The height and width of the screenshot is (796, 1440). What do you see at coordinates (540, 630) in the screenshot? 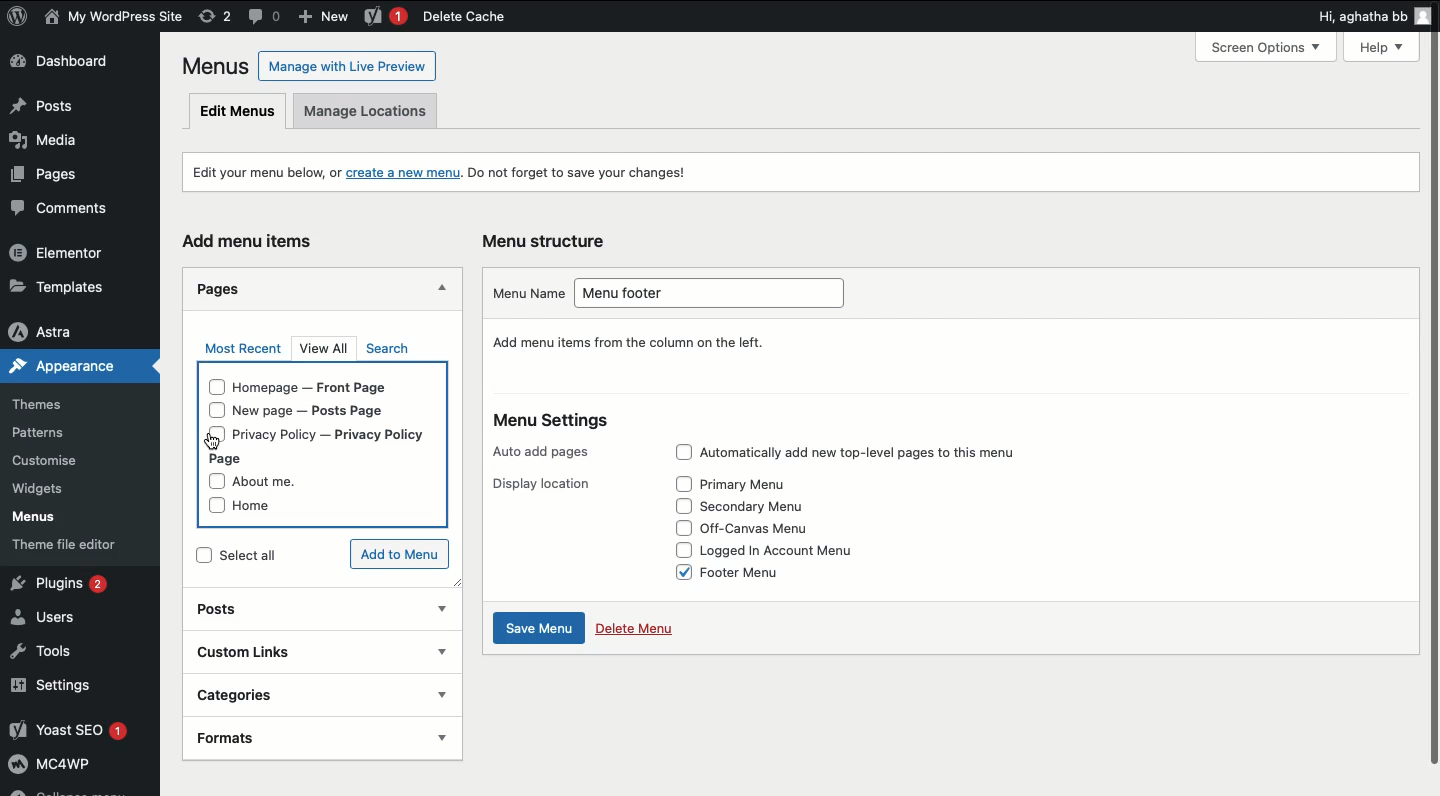
I see `Save menu` at bounding box center [540, 630].